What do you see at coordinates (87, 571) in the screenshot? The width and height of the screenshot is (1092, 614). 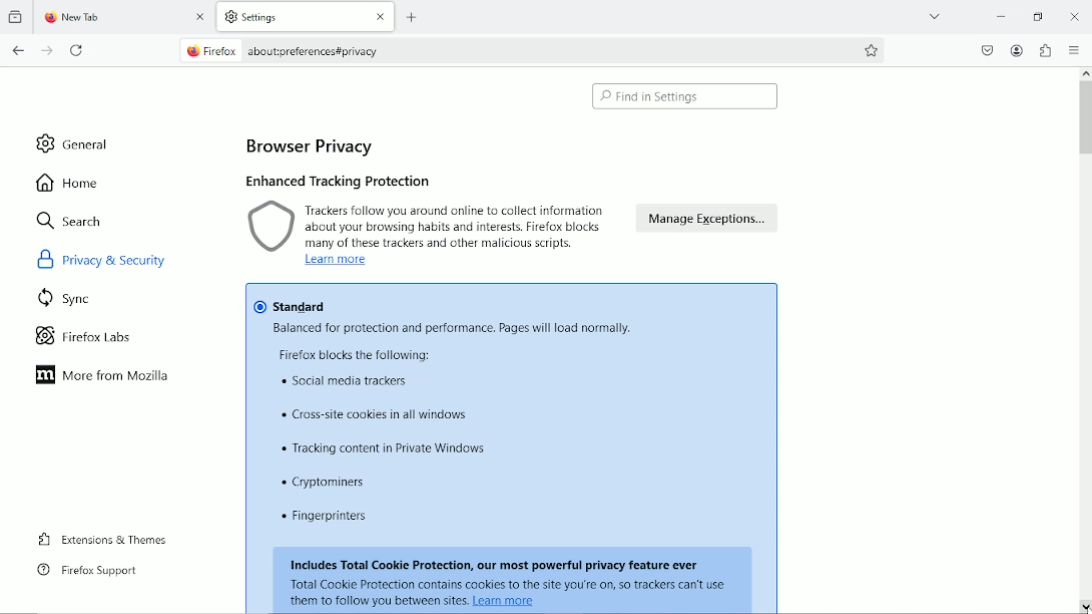 I see `firefox support` at bounding box center [87, 571].